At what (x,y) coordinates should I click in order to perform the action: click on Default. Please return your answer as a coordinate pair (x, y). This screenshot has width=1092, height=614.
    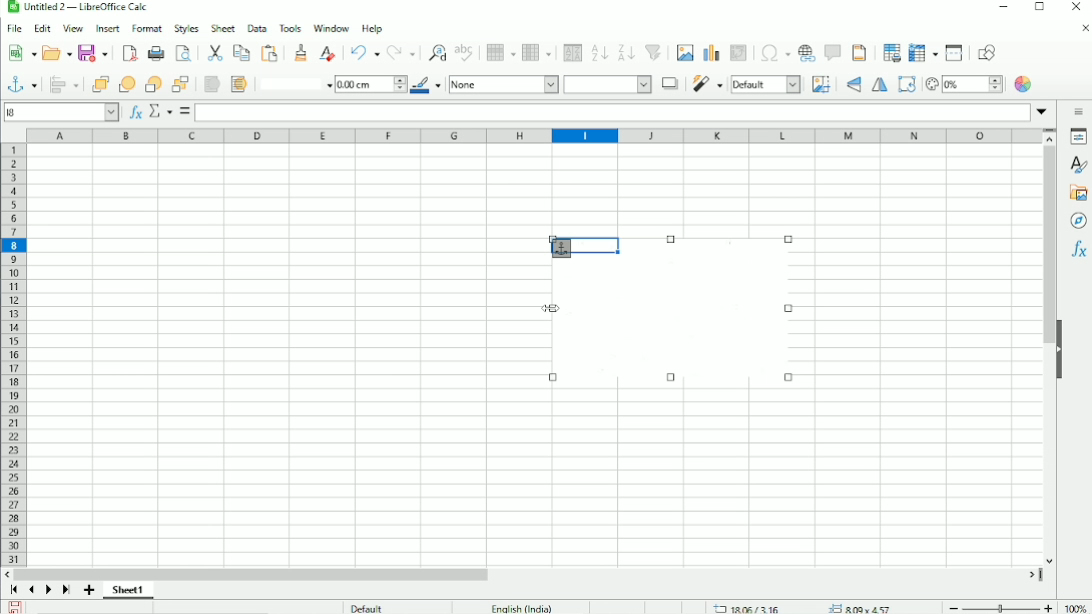
    Looking at the image, I should click on (366, 606).